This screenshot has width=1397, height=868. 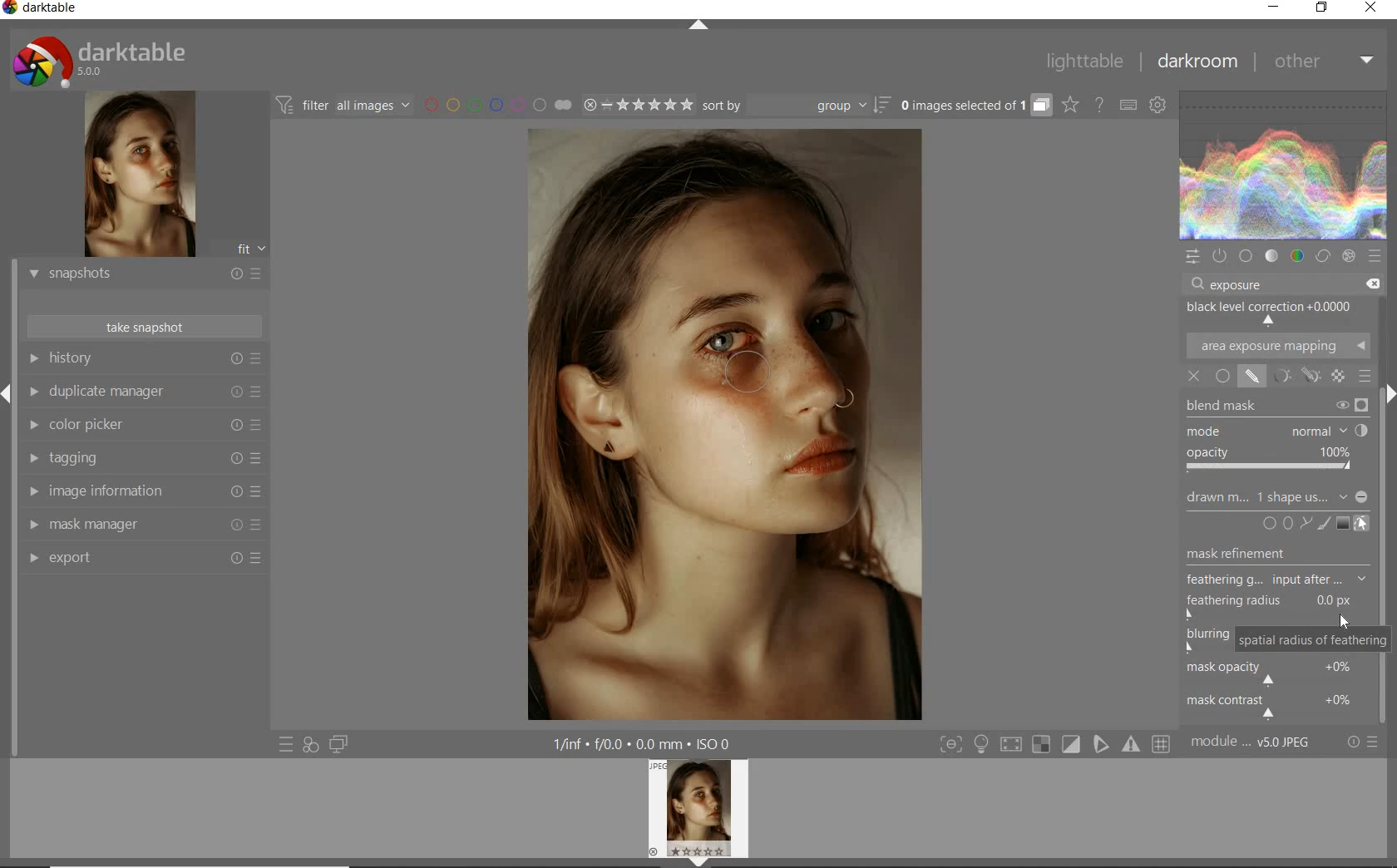 I want to click on mask contrast, so click(x=1275, y=708).